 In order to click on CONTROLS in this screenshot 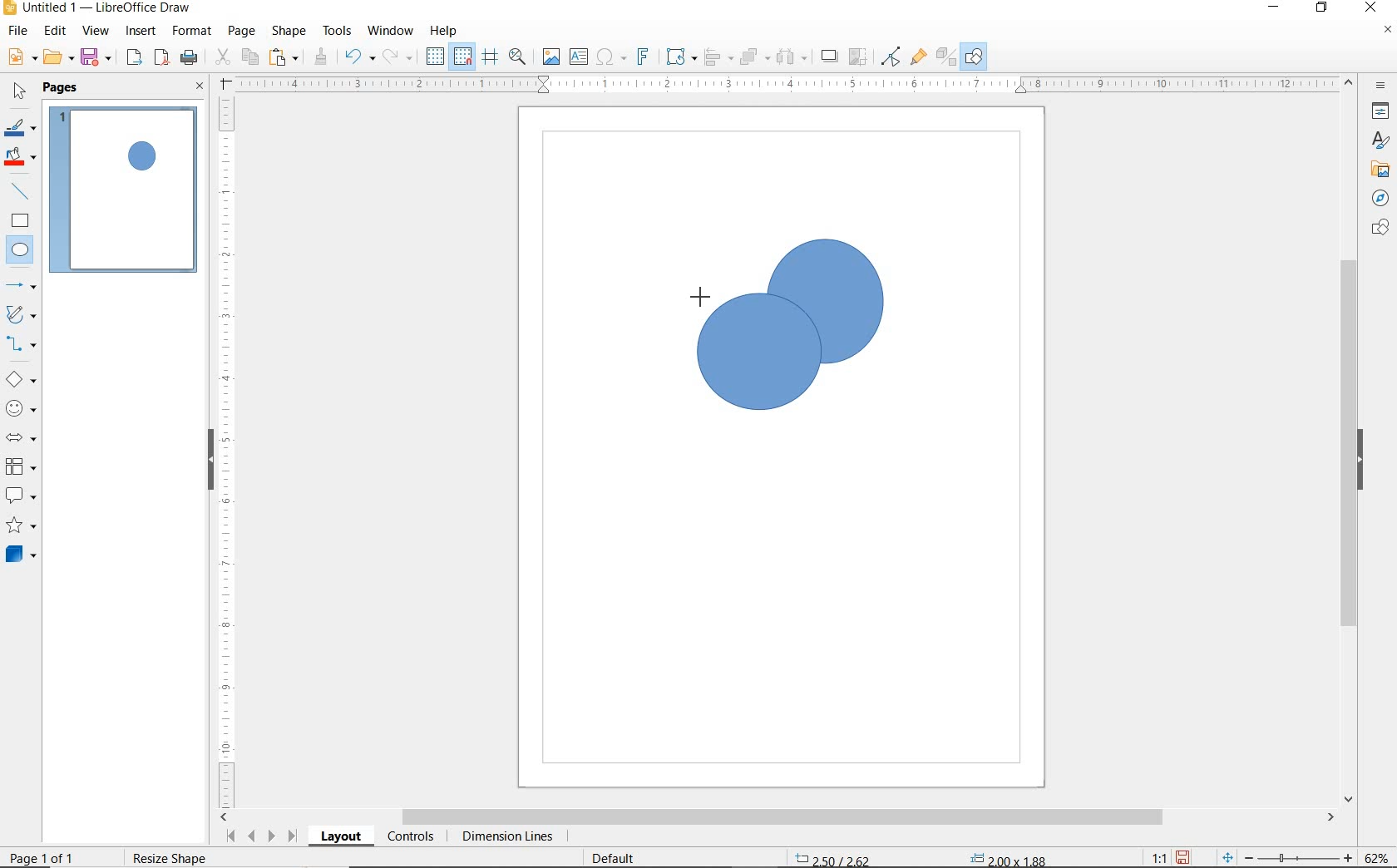, I will do `click(412, 838)`.